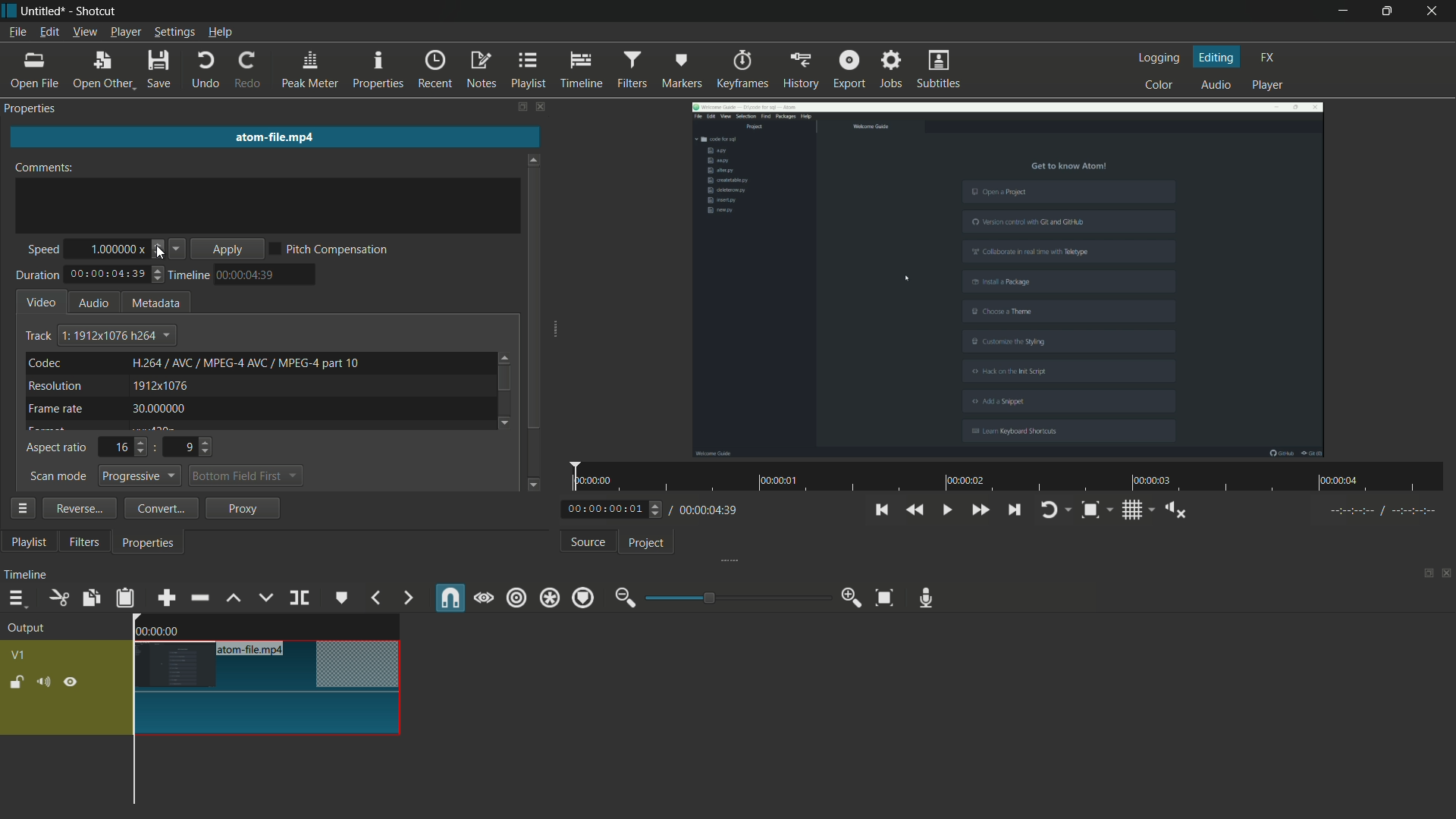 This screenshot has width=1456, height=819. I want to click on redo, so click(249, 69).